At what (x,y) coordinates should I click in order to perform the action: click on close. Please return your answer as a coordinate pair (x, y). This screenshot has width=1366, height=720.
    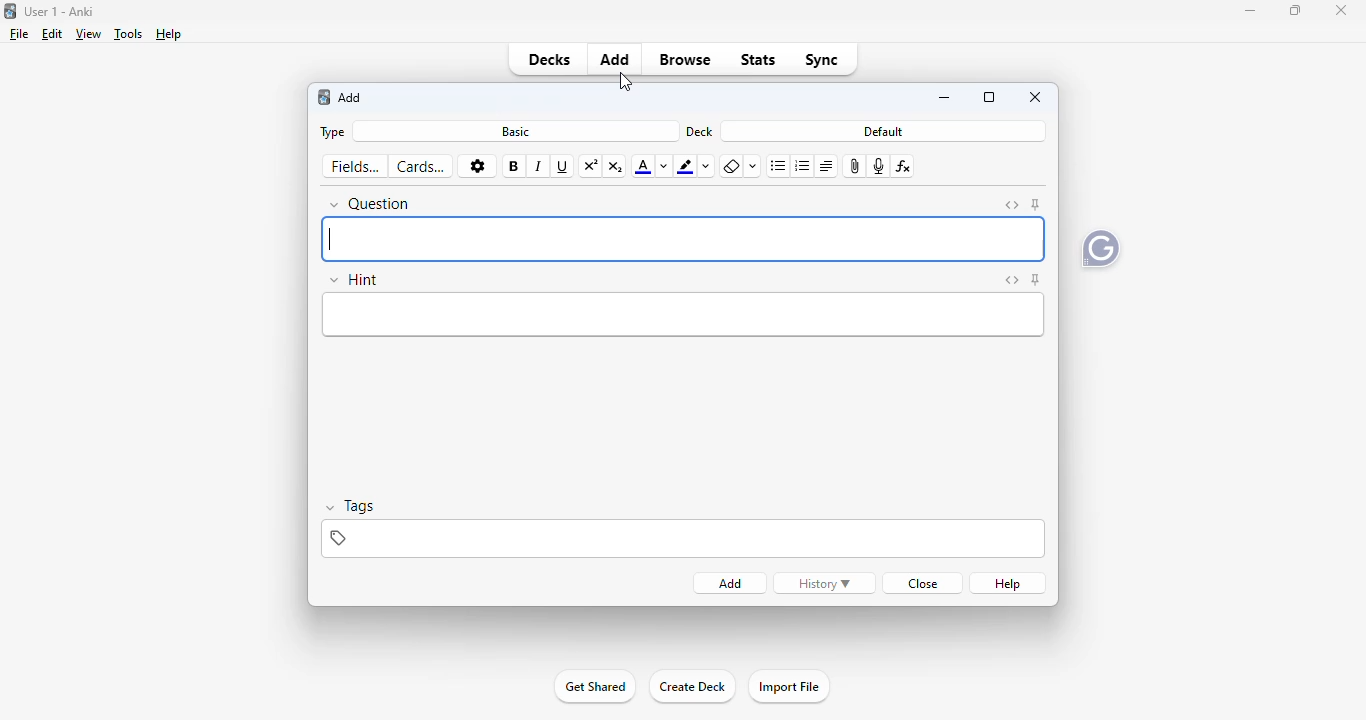
    Looking at the image, I should click on (1036, 97).